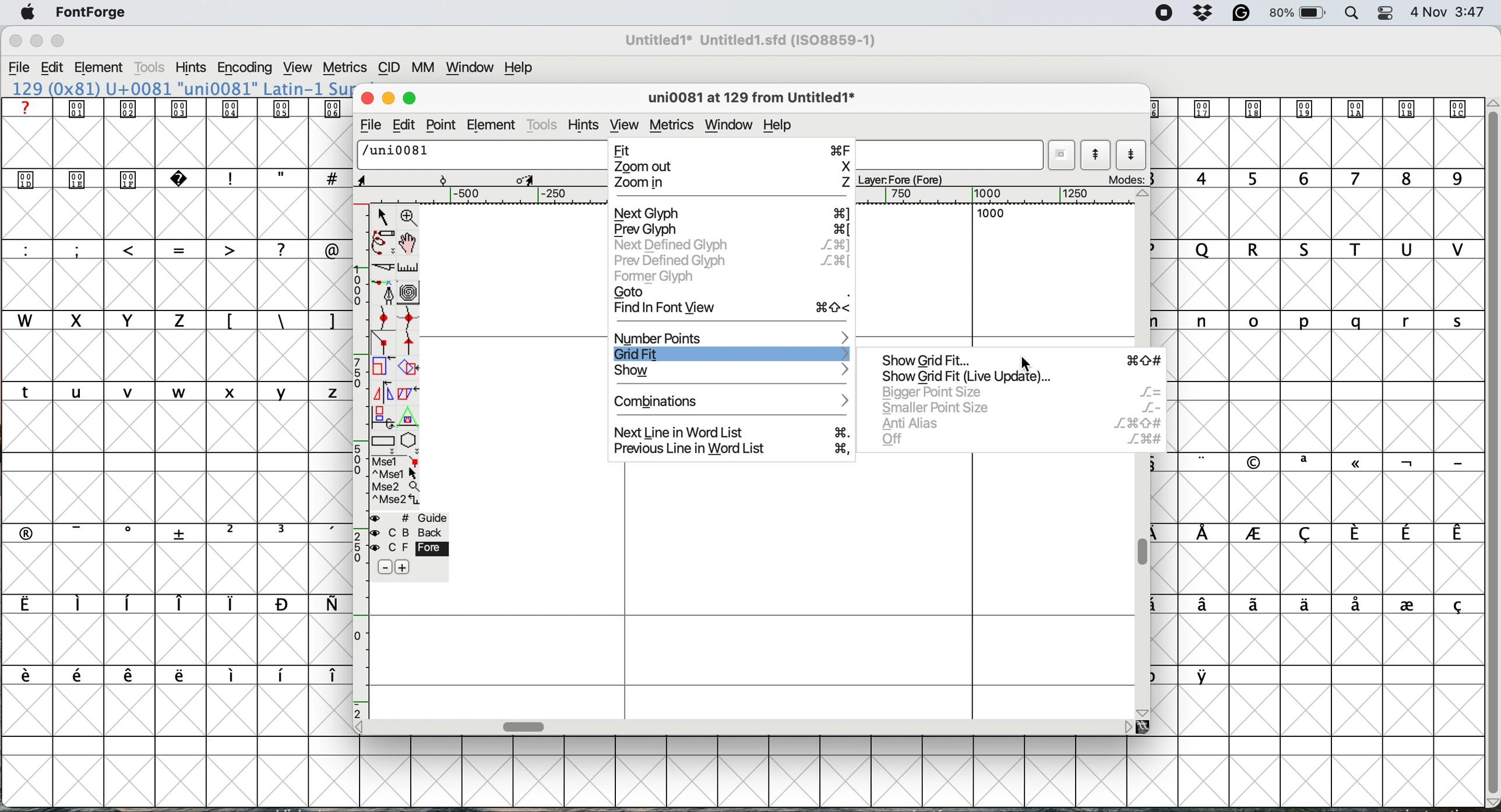 Image resolution: width=1501 pixels, height=812 pixels. What do you see at coordinates (99, 69) in the screenshot?
I see `Element` at bounding box center [99, 69].